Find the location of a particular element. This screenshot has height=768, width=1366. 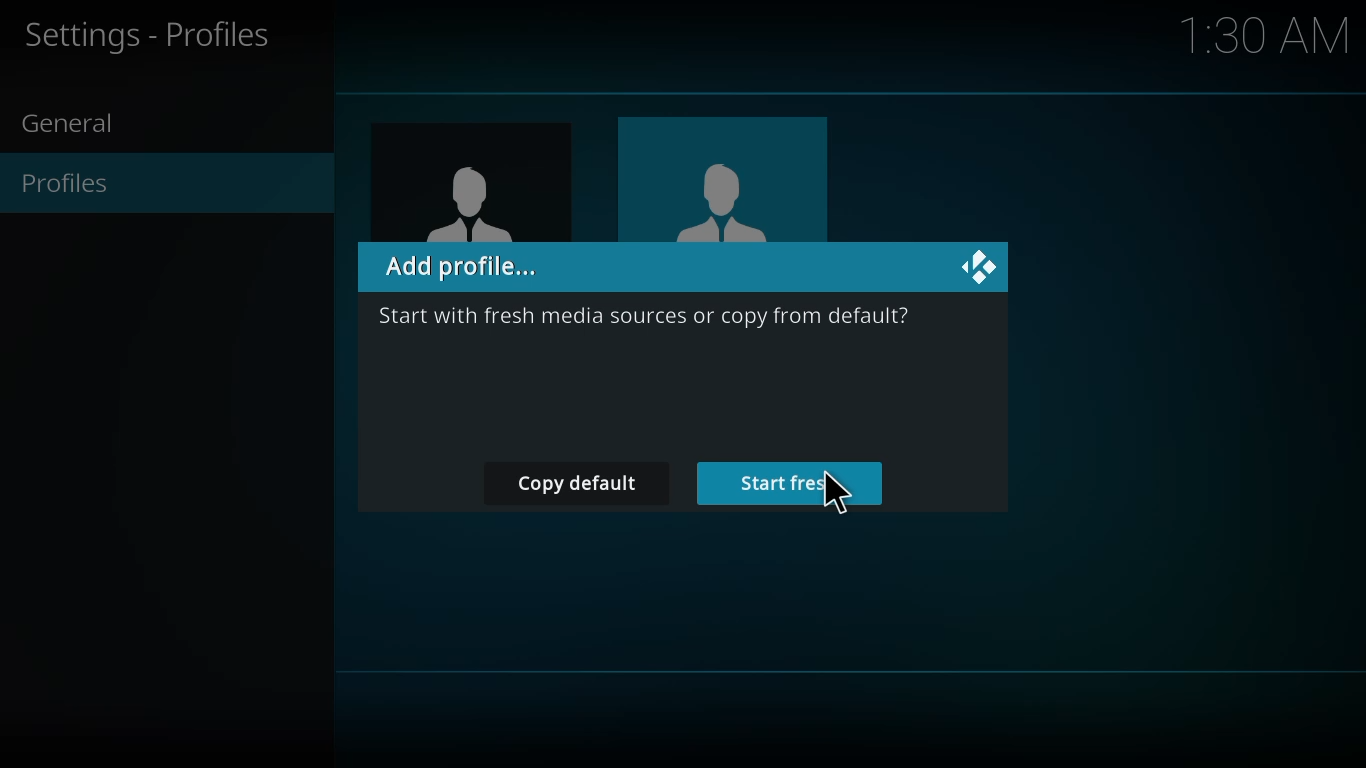

copy default is located at coordinates (585, 484).